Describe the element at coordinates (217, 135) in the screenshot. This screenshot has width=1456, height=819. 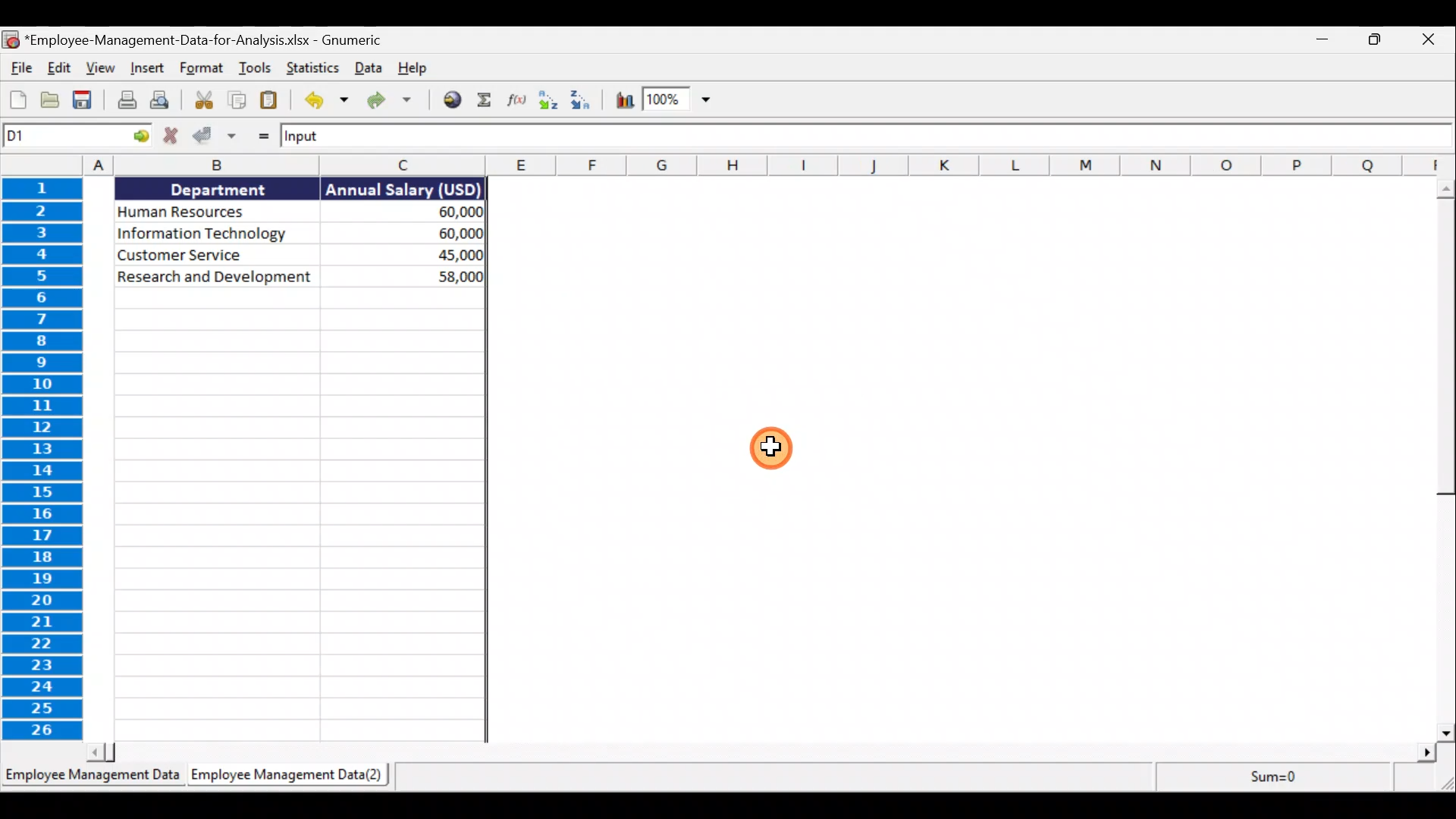
I see `Accept change` at that location.